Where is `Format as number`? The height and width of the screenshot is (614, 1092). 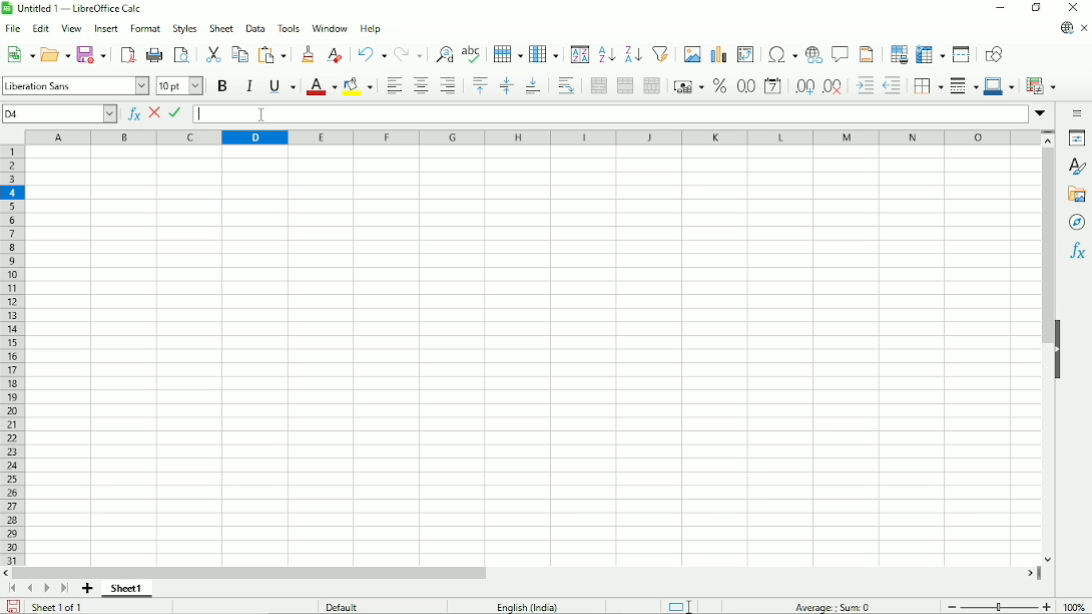 Format as number is located at coordinates (746, 86).